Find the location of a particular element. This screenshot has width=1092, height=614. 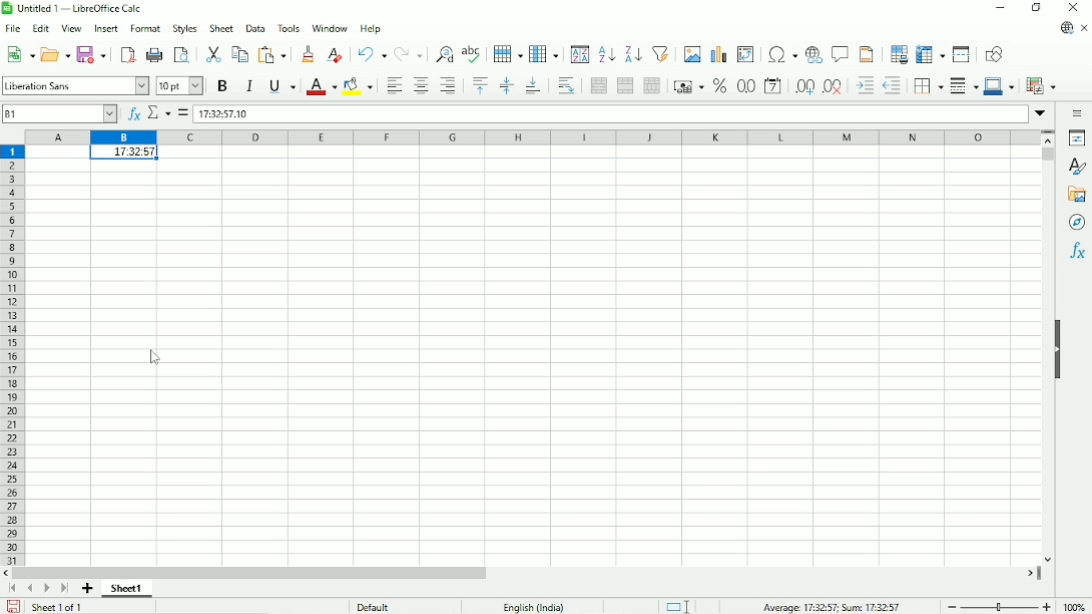

Auto filter is located at coordinates (659, 54).